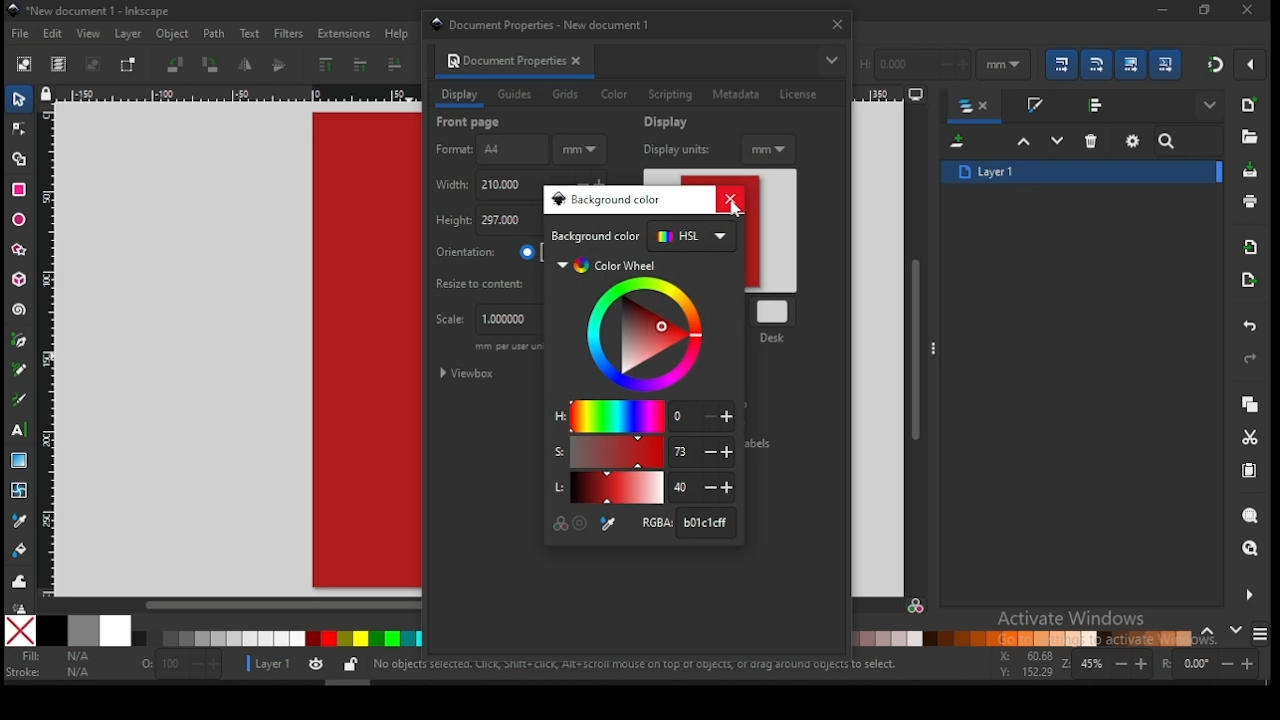 This screenshot has height=720, width=1280. I want to click on fill color, so click(53, 657).